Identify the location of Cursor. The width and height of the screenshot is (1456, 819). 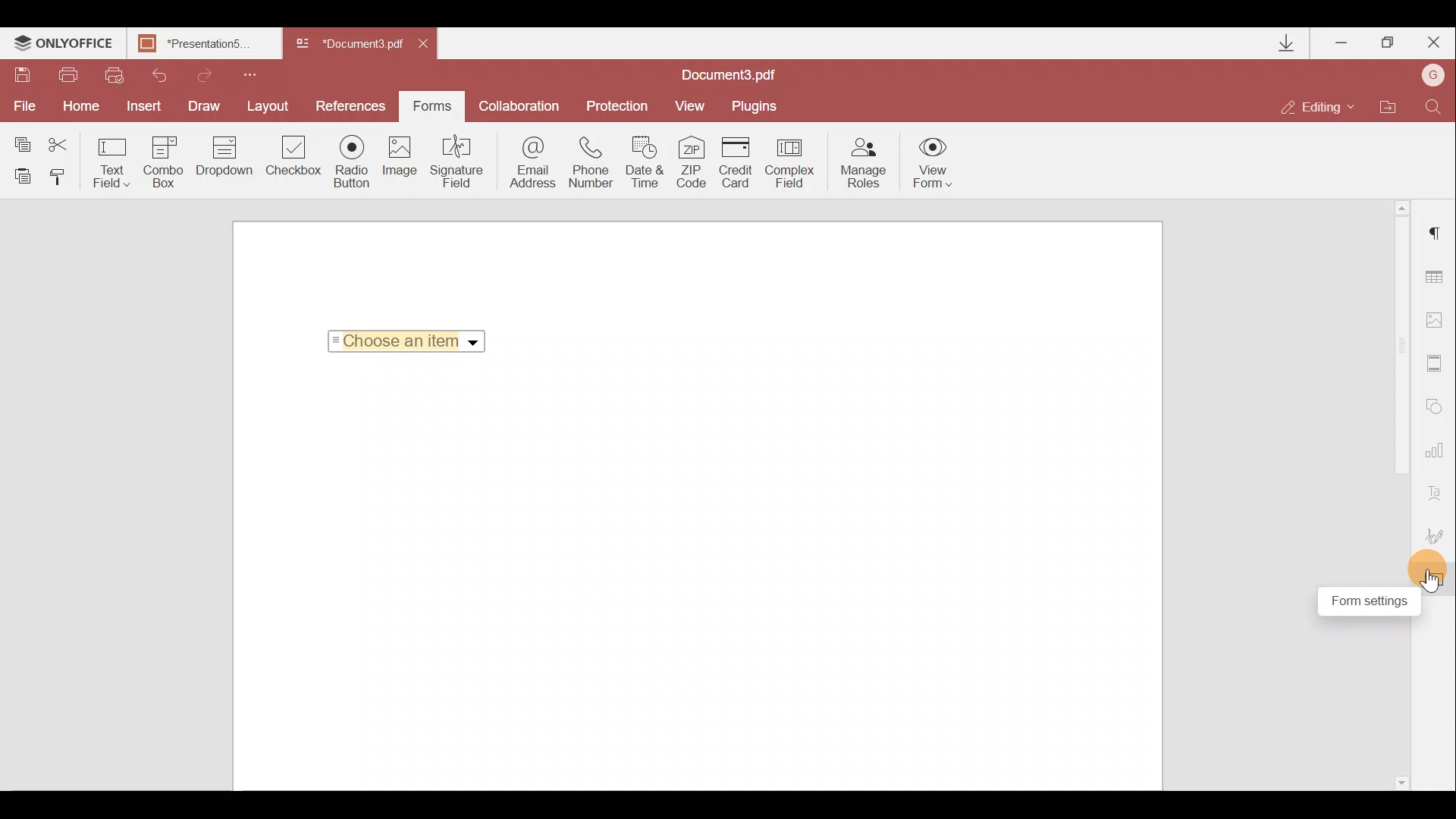
(1436, 583).